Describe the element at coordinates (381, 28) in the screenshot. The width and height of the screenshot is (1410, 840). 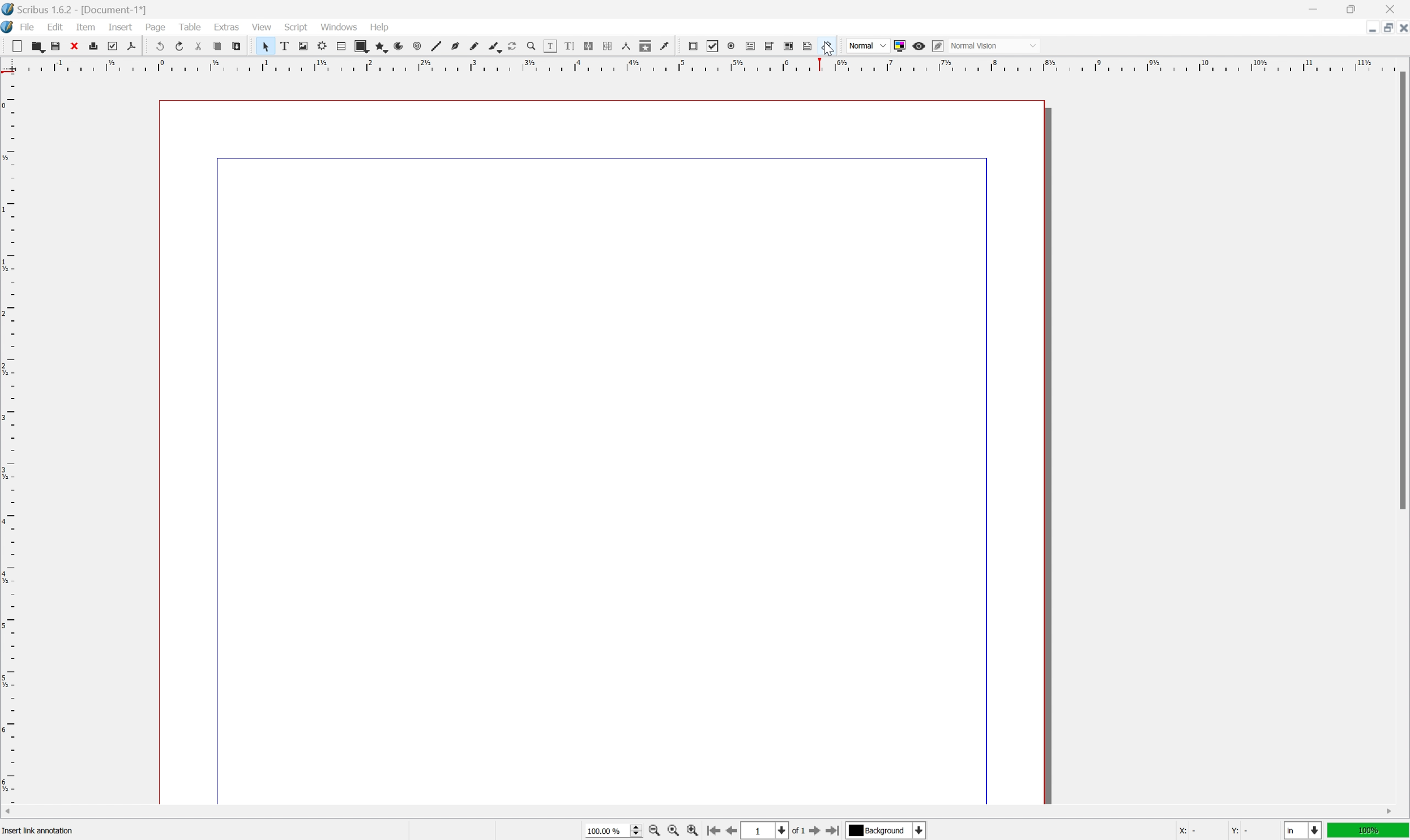
I see `Help` at that location.